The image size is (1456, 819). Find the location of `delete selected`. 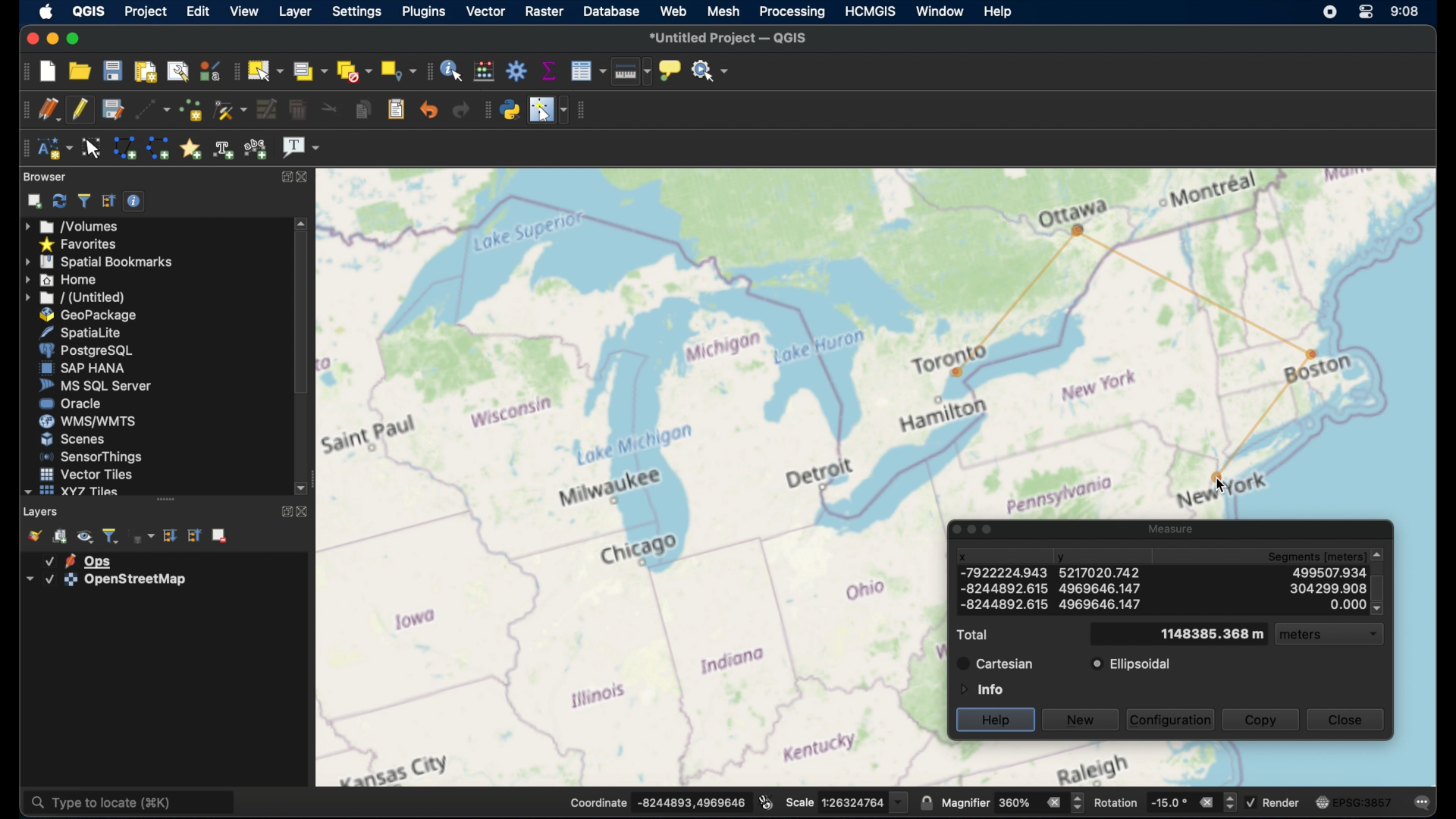

delete selected is located at coordinates (297, 110).